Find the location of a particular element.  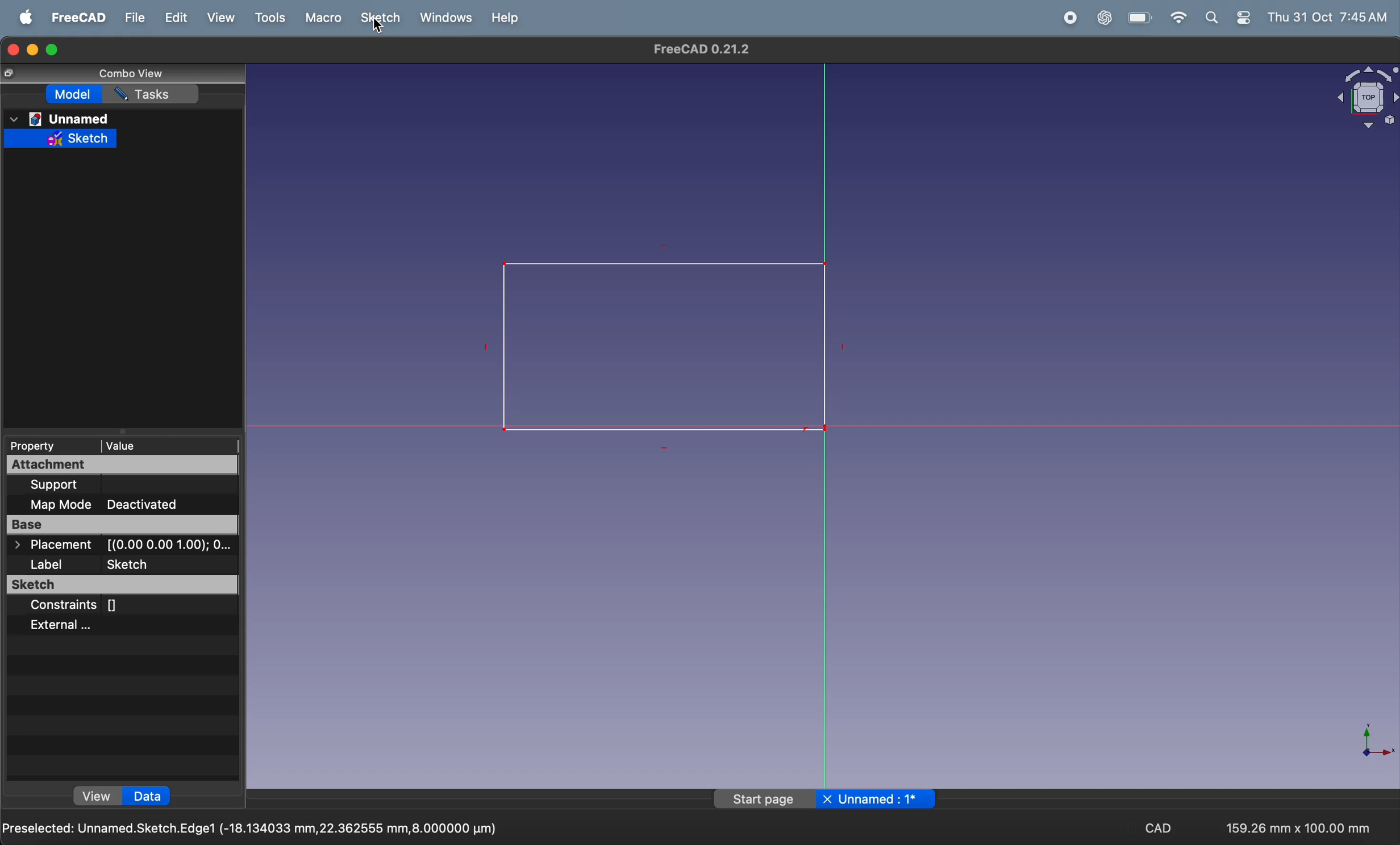

cad is located at coordinates (1153, 826).